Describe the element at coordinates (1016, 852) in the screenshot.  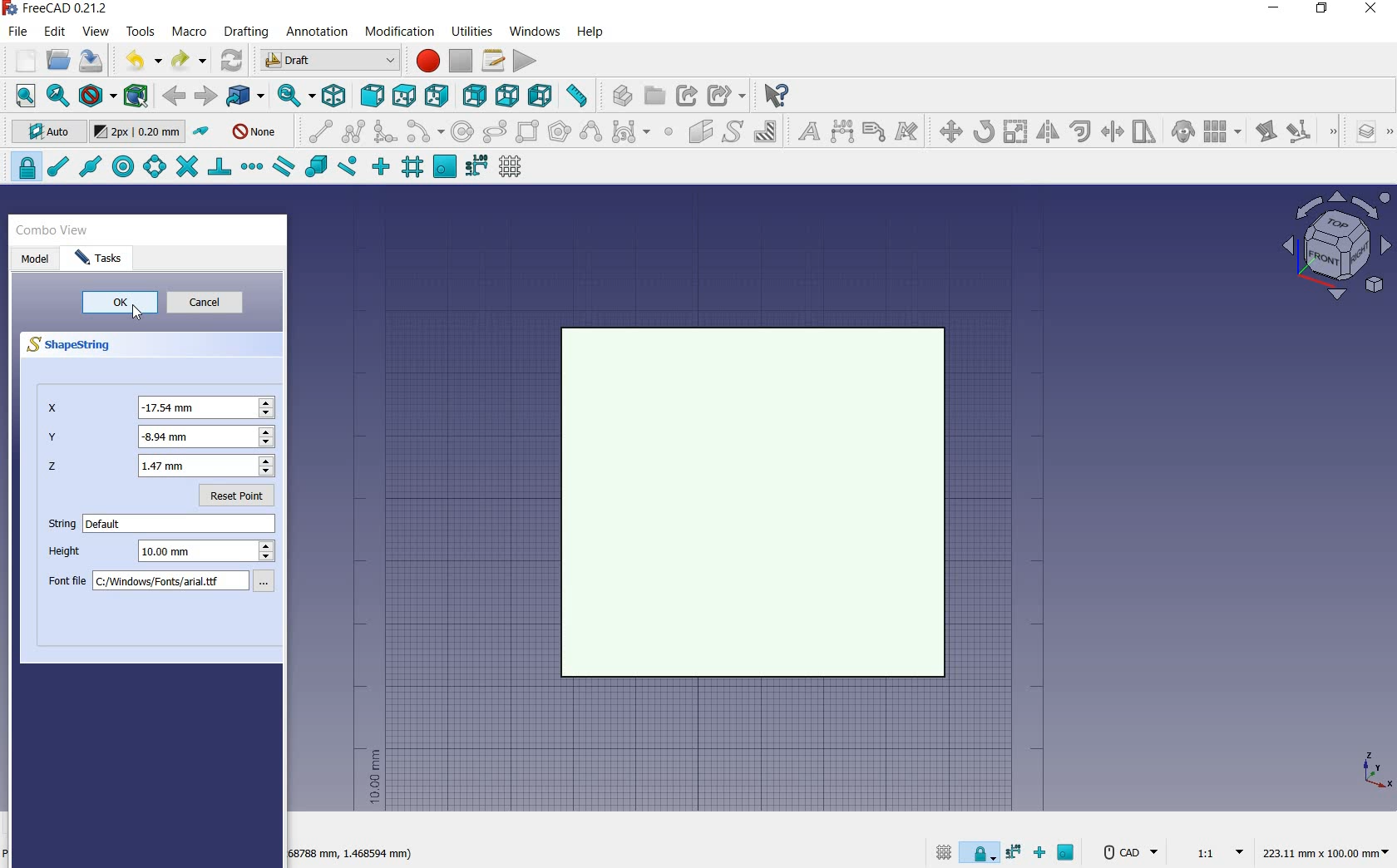
I see `snapdimensions` at that location.